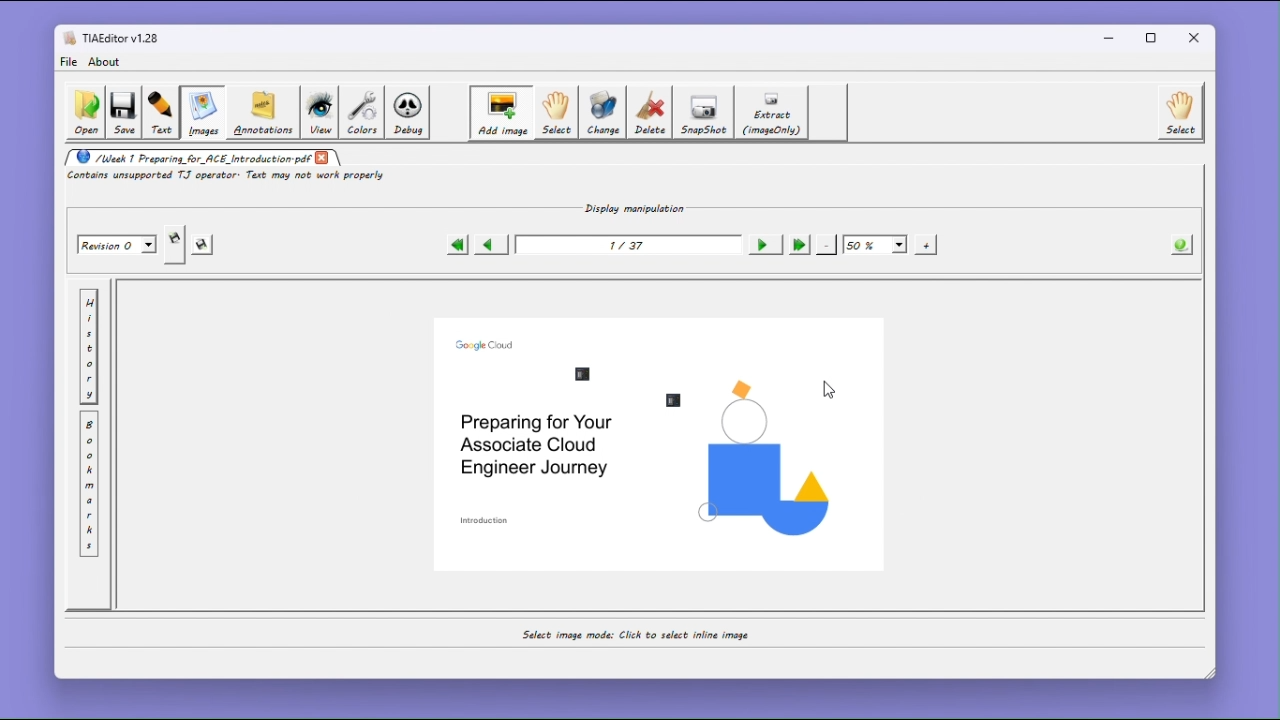 Image resolution: width=1280 pixels, height=720 pixels. I want to click on TIAEditor v1.28, so click(111, 37).